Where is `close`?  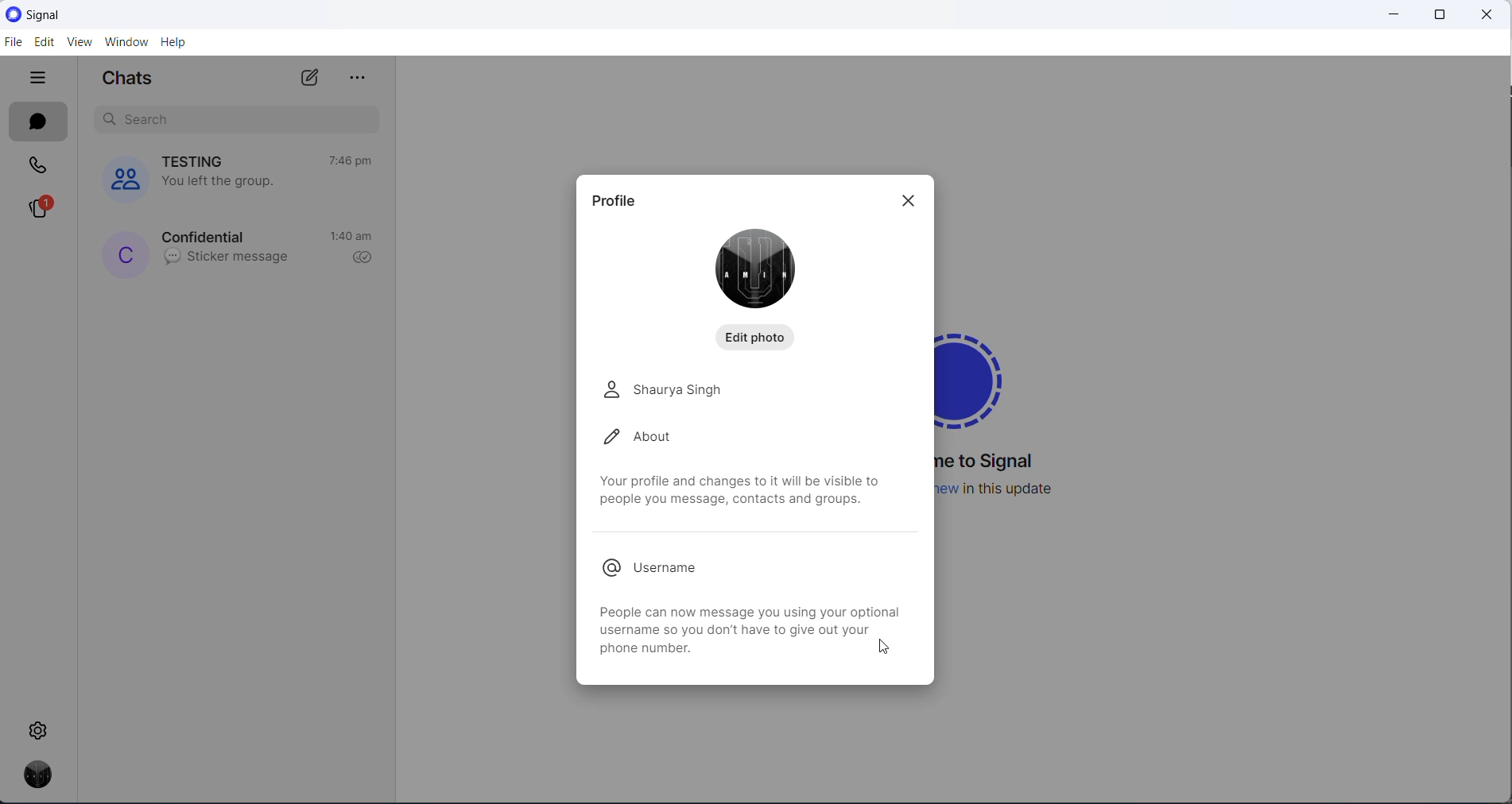 close is located at coordinates (1489, 16).